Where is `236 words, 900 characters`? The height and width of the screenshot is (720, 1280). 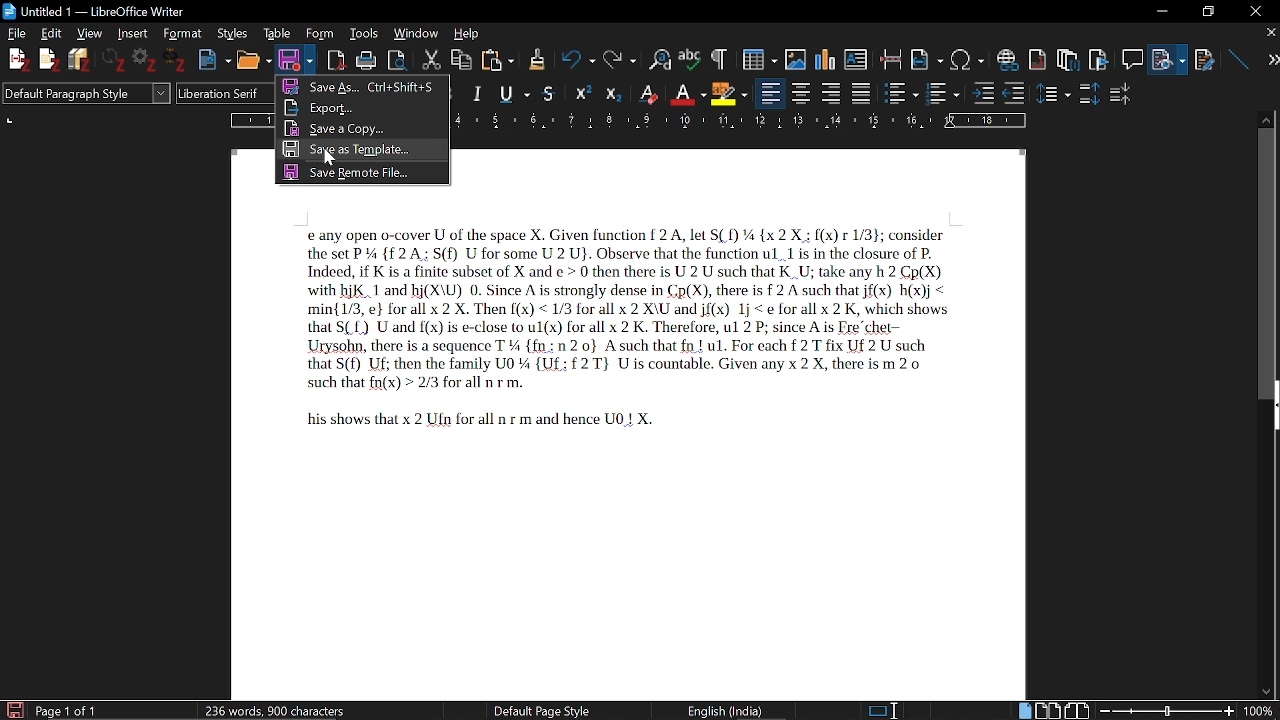
236 words, 900 characters is located at coordinates (276, 707).